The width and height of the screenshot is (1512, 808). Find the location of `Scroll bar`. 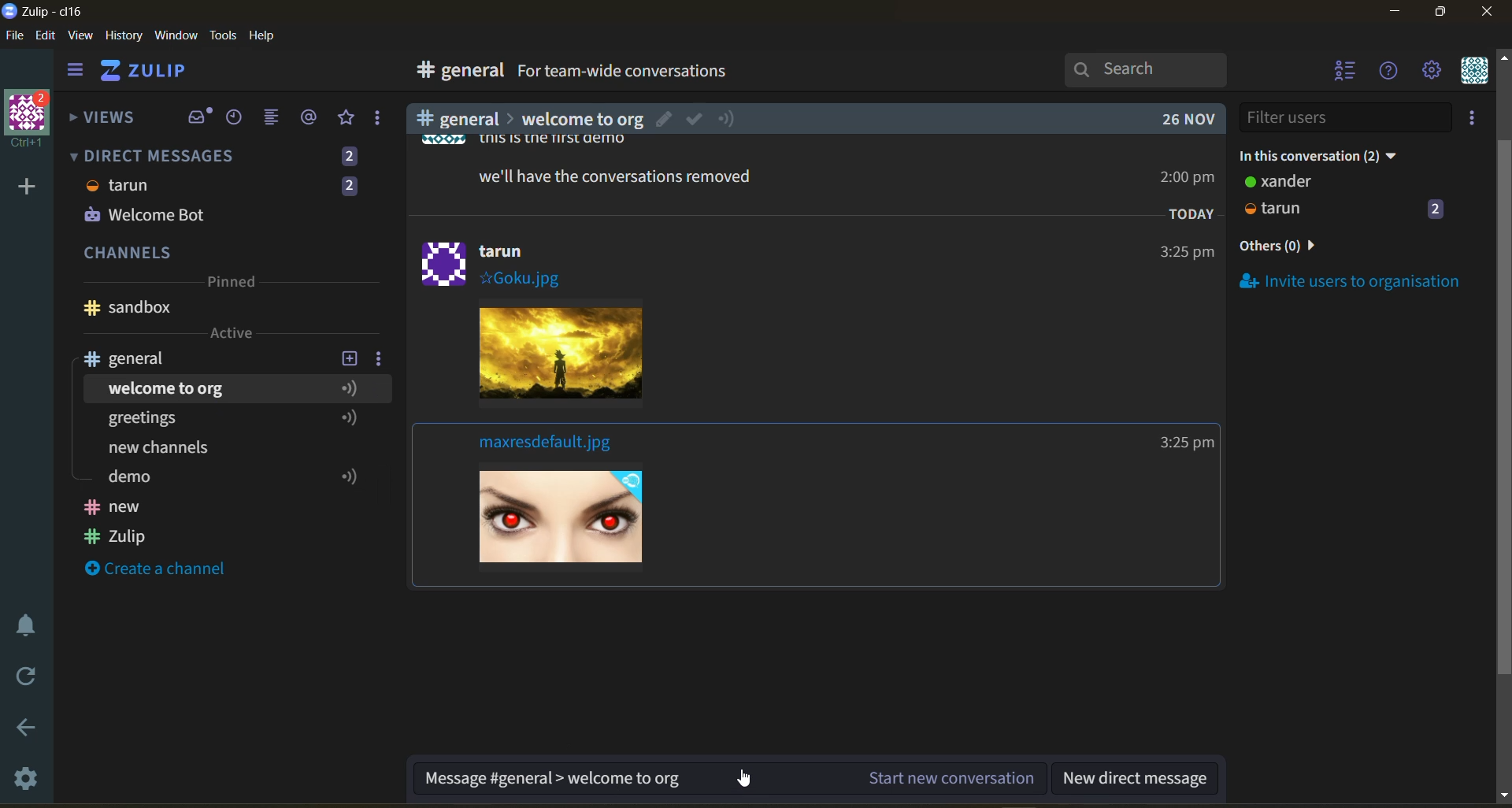

Scroll bar is located at coordinates (1503, 421).